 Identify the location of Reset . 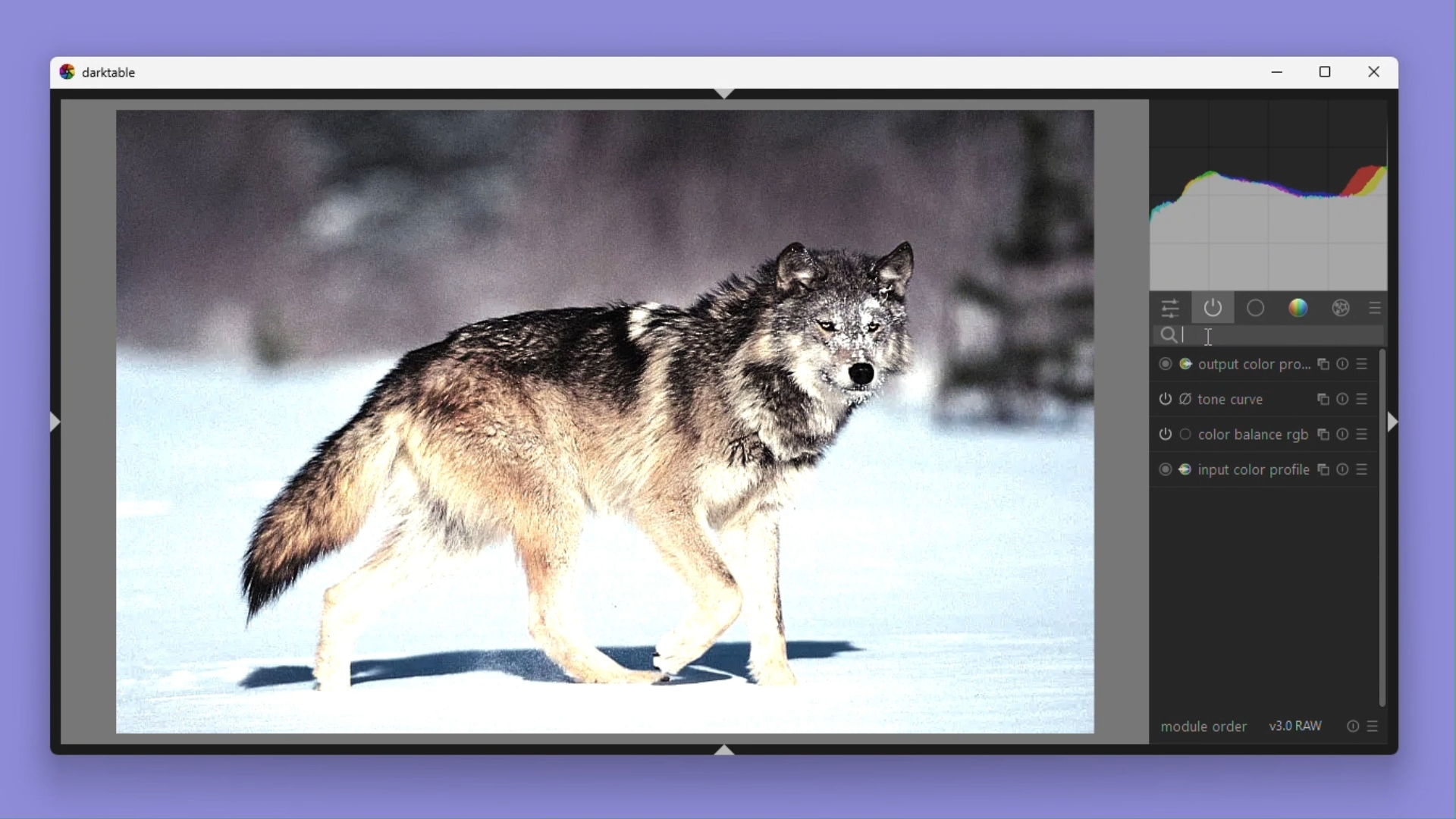
(1342, 398).